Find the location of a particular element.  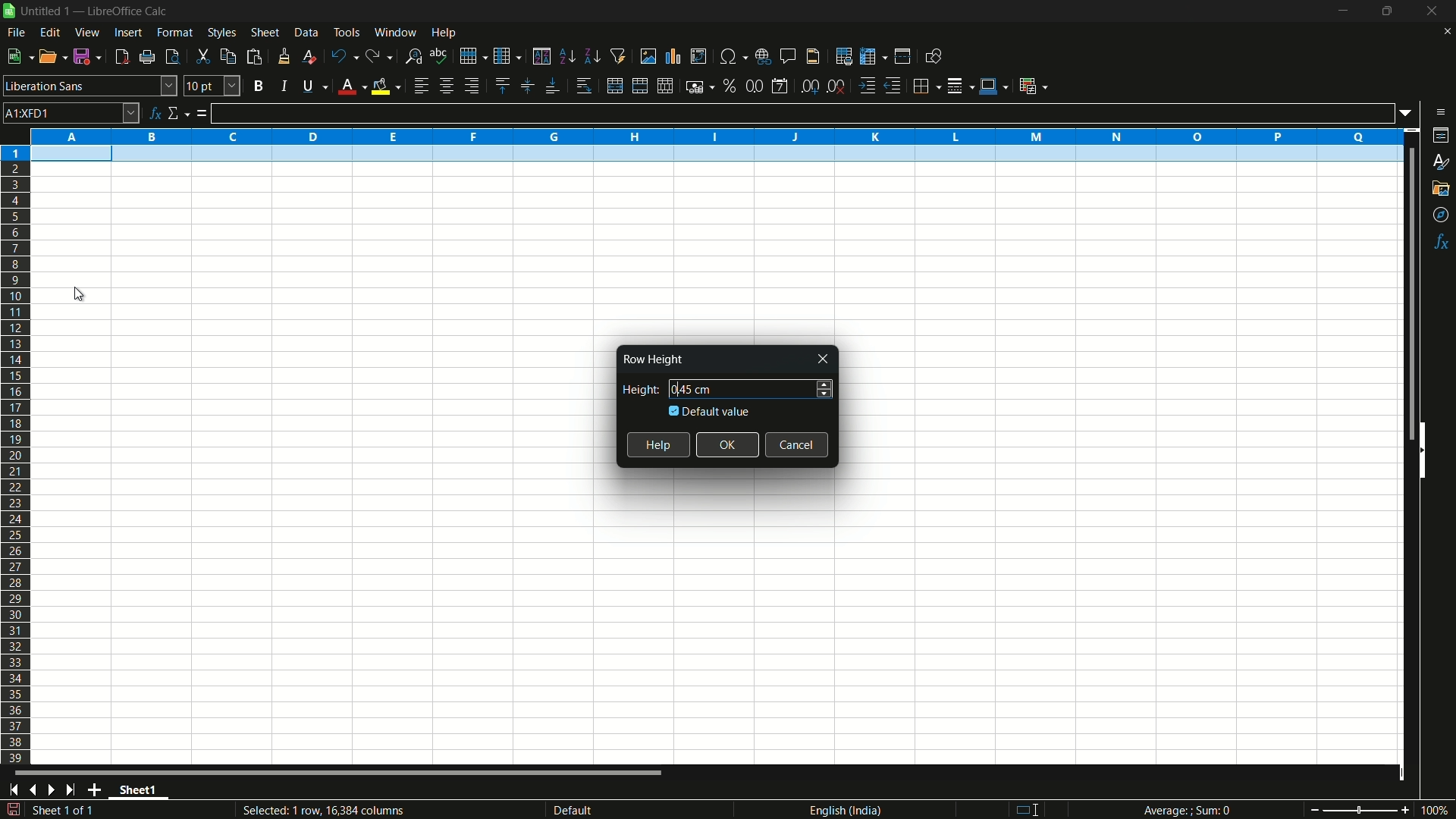

underline is located at coordinates (312, 87).